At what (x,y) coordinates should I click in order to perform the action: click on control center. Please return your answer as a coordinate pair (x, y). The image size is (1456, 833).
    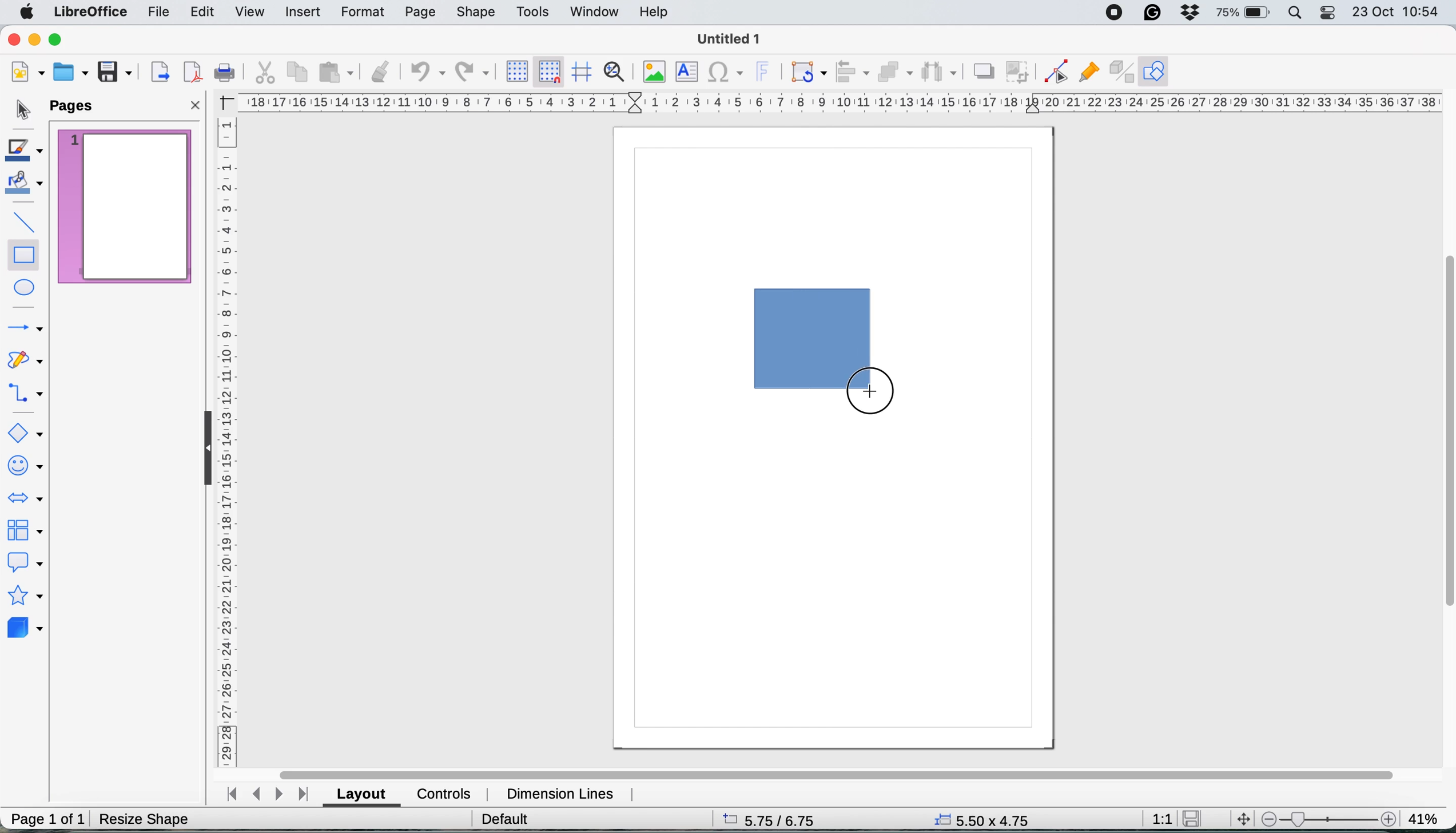
    Looking at the image, I should click on (1329, 12).